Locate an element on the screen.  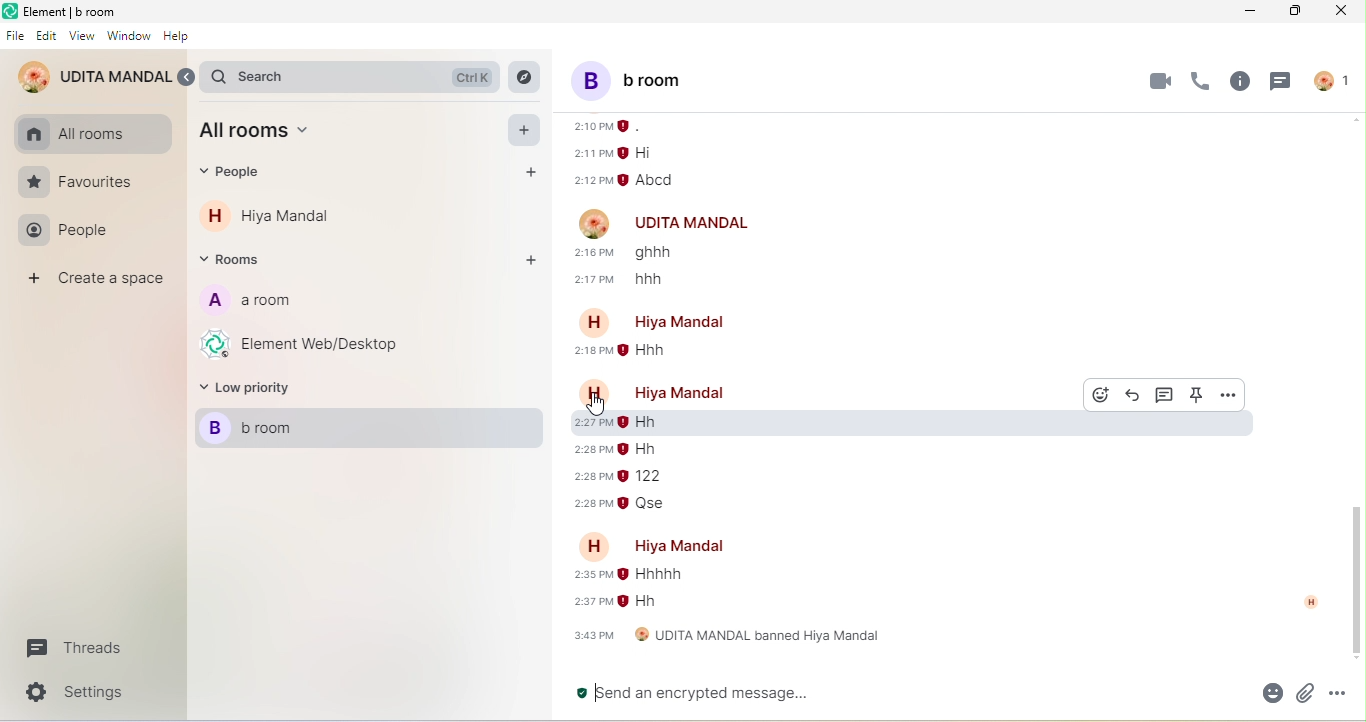
time of message sending is located at coordinates (608, 126).